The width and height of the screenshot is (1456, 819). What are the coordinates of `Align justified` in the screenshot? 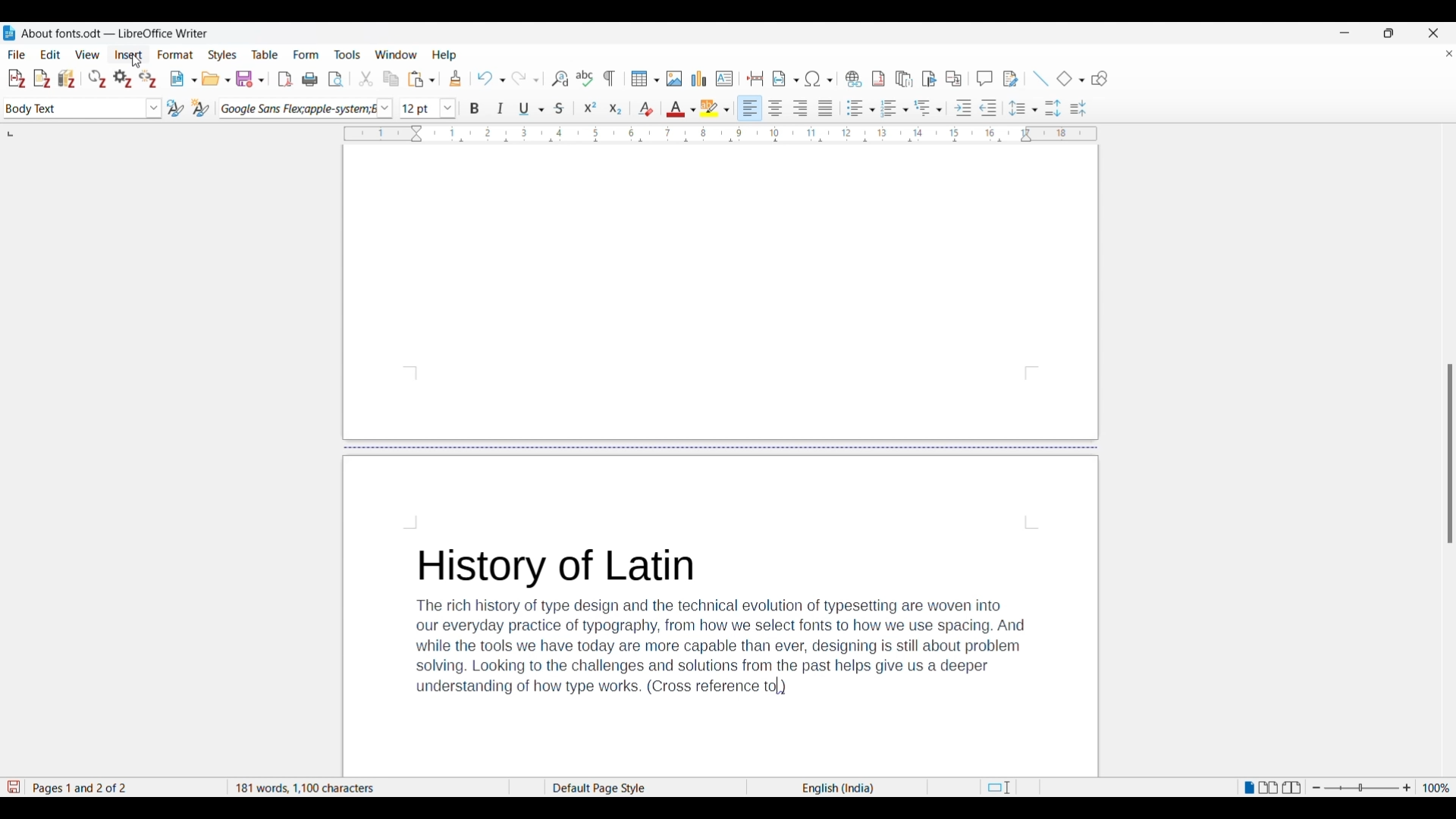 It's located at (826, 108).